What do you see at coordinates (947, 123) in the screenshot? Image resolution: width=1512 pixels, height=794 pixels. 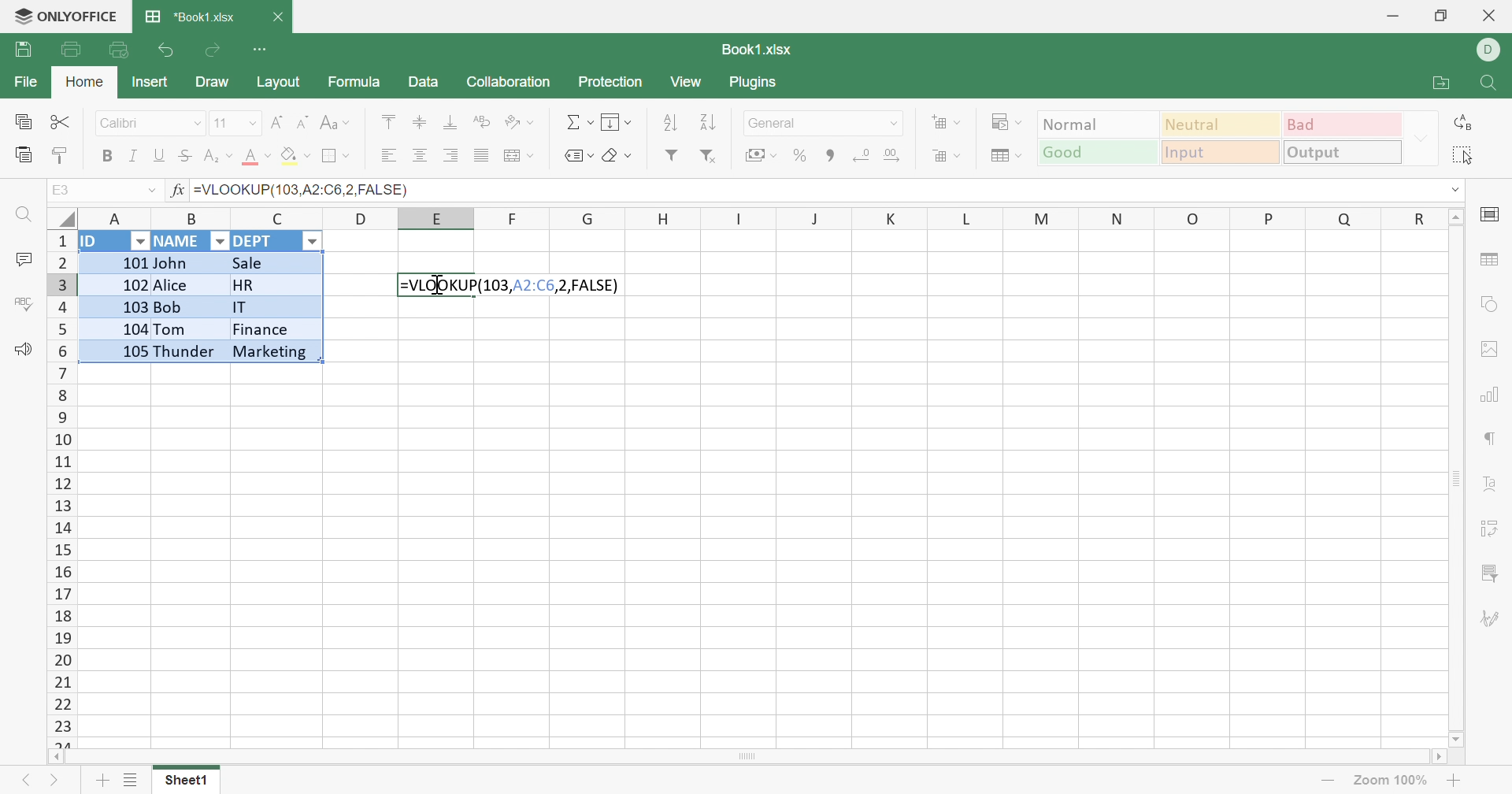 I see `Insert ` at bounding box center [947, 123].